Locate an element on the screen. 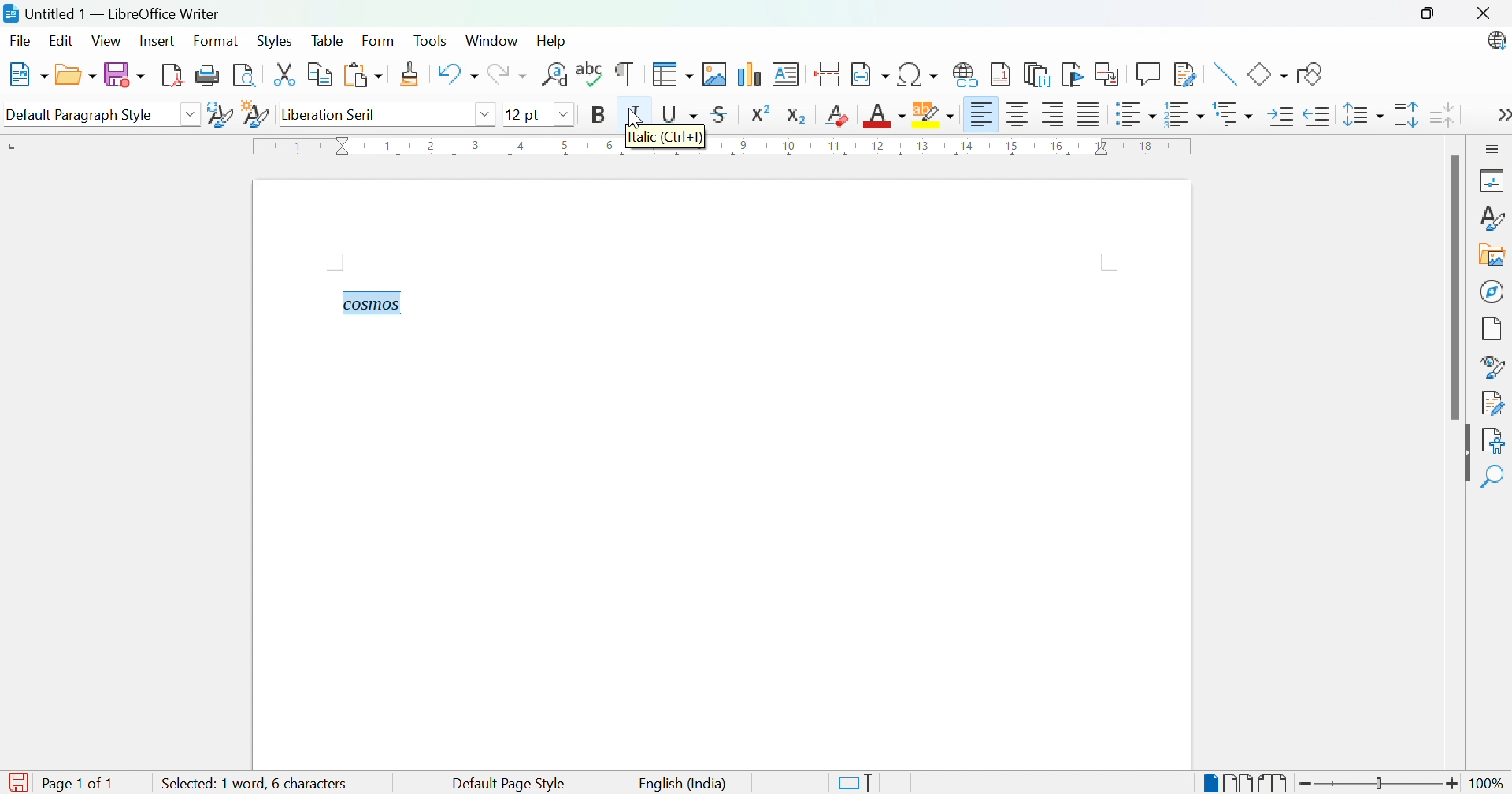 This screenshot has height=794, width=1512. Tools is located at coordinates (433, 41).